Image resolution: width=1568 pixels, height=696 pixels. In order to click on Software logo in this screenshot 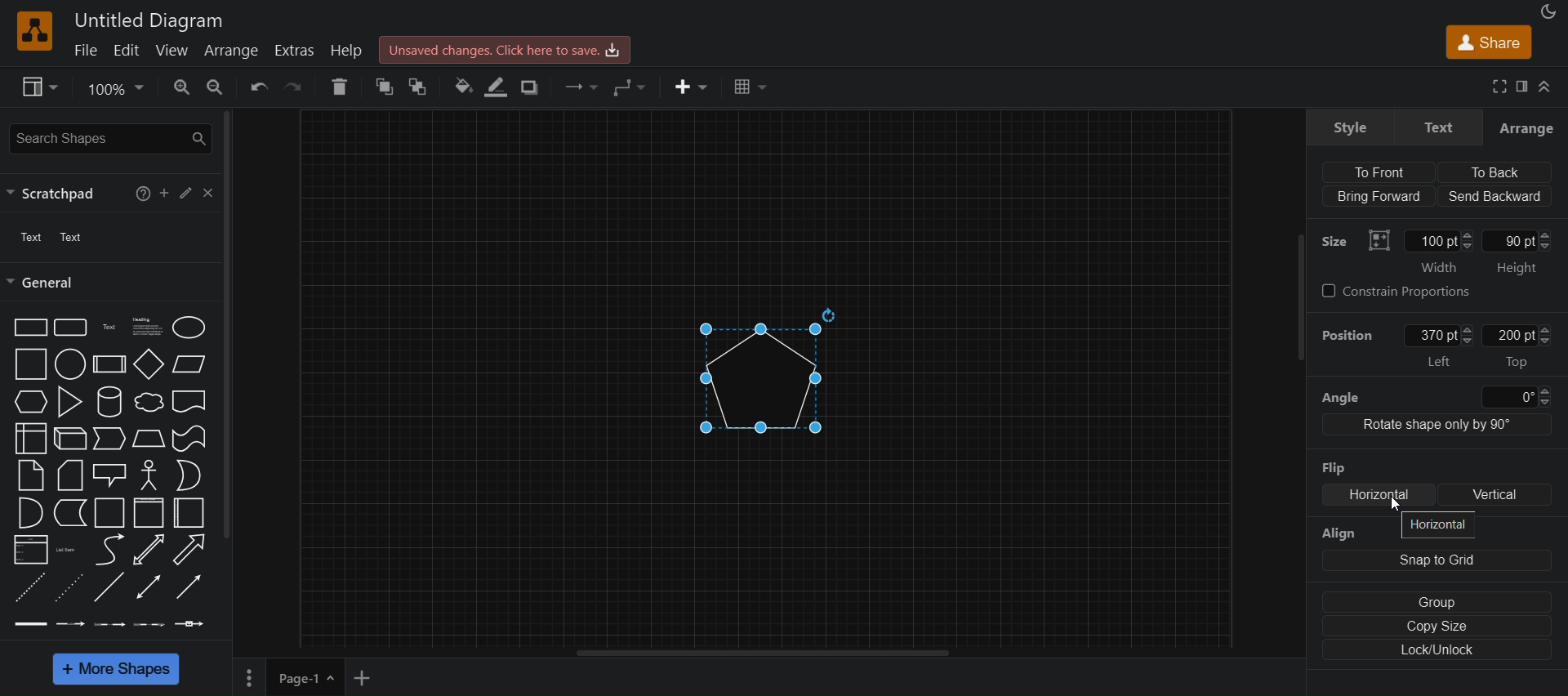, I will do `click(35, 31)`.